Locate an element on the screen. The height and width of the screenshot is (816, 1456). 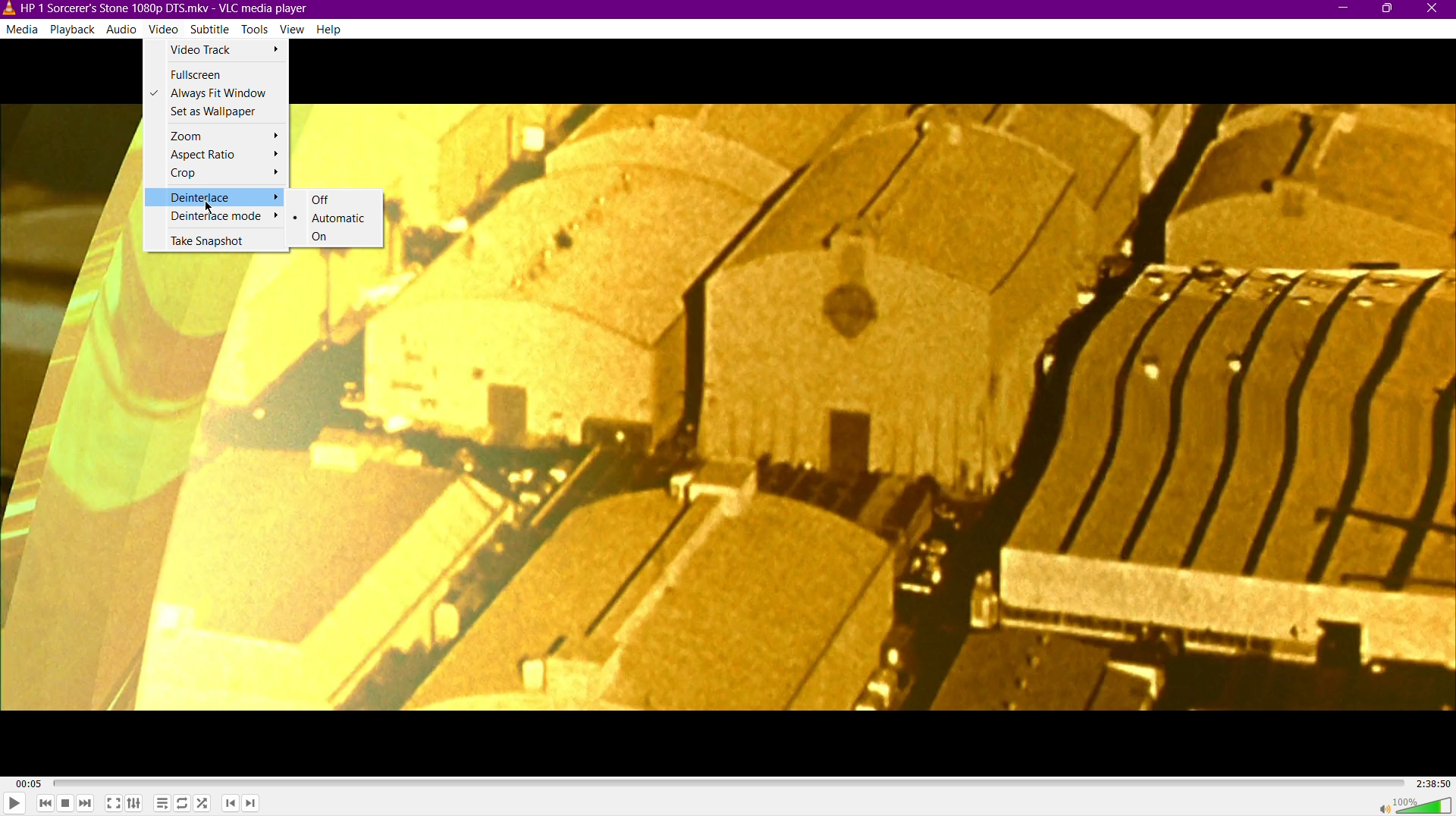
Maximize is located at coordinates (1387, 9).